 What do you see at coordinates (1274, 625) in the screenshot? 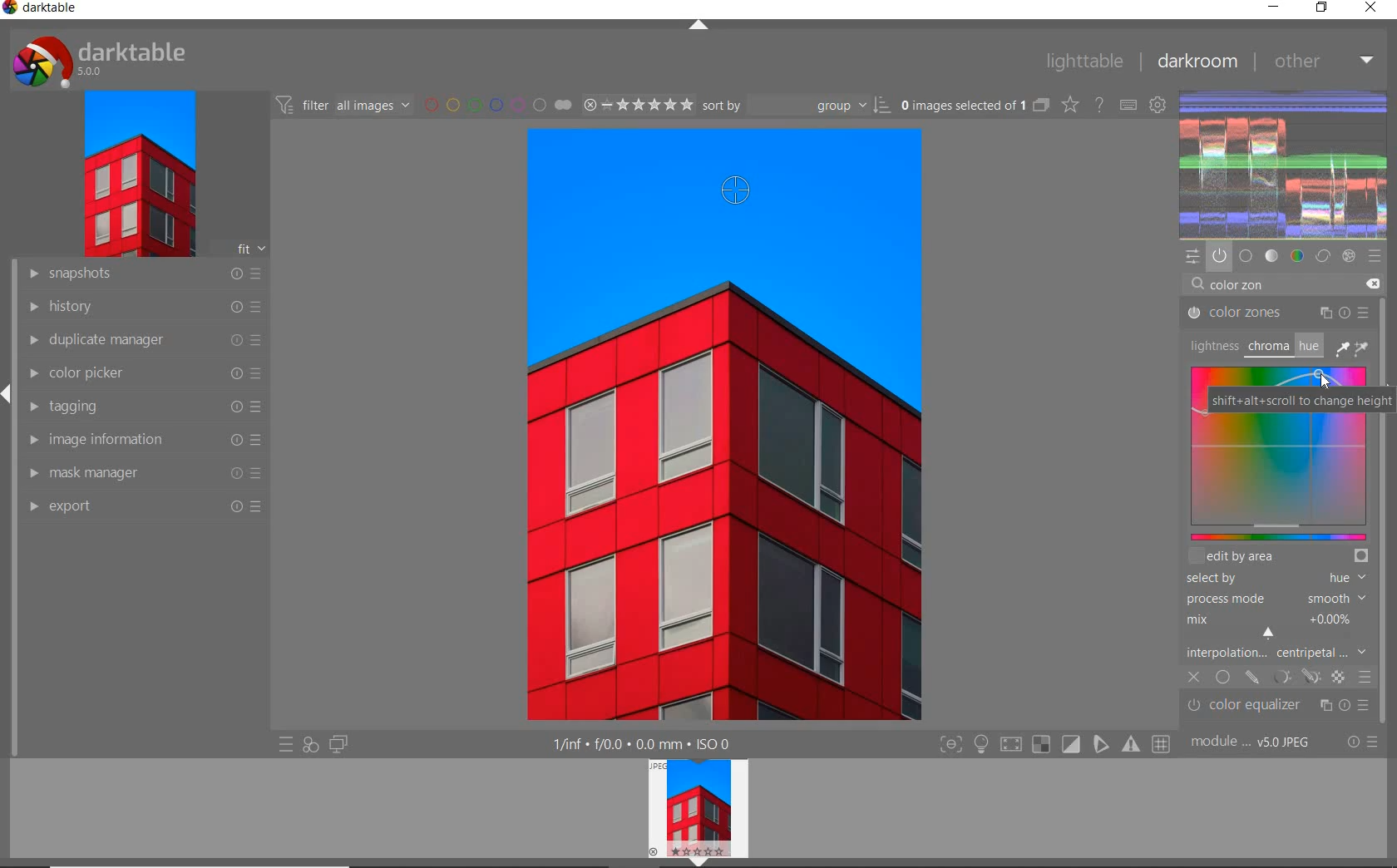
I see `MIX` at bounding box center [1274, 625].